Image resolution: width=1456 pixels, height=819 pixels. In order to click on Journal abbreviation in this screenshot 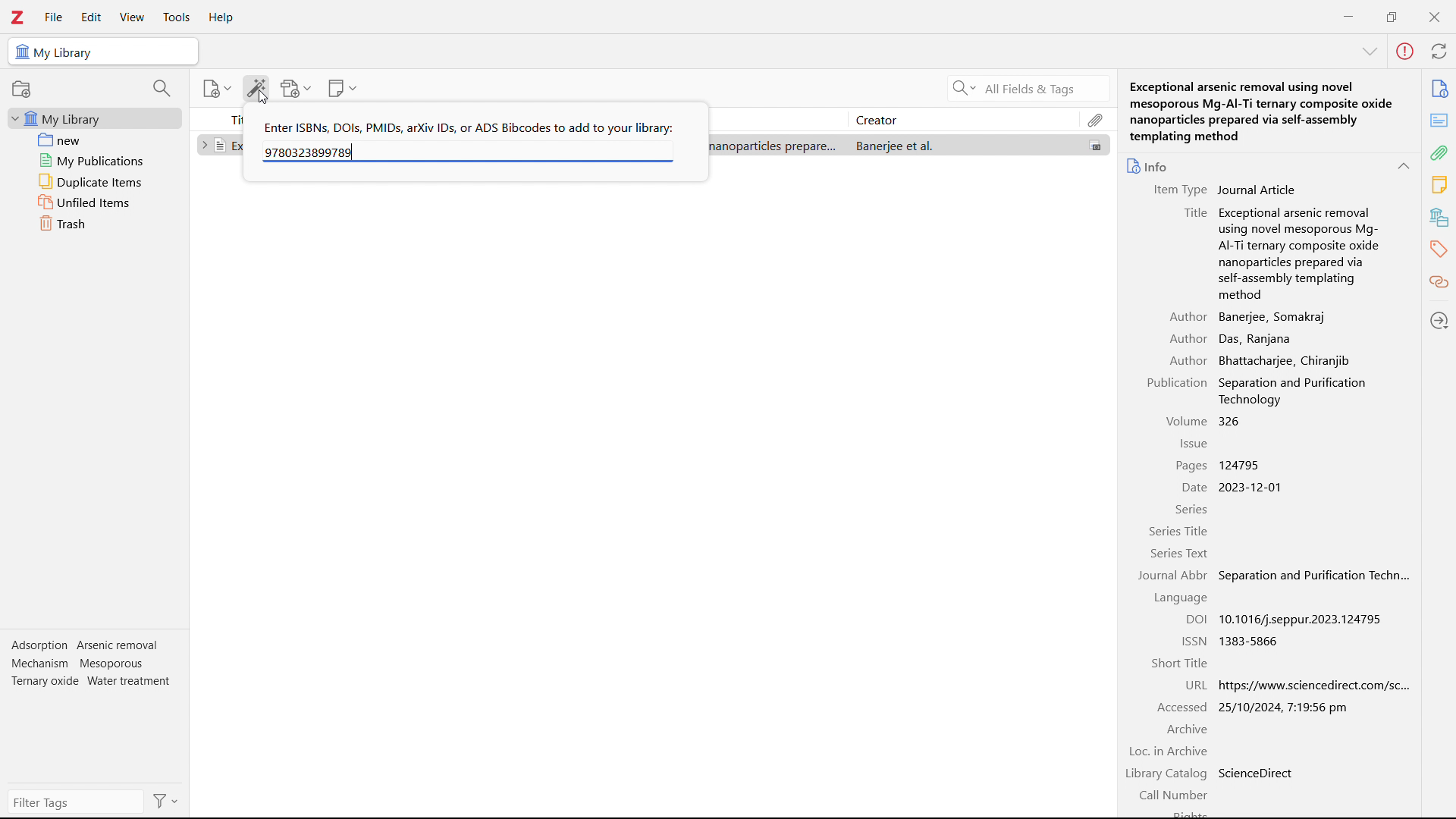, I will do `click(1173, 576)`.